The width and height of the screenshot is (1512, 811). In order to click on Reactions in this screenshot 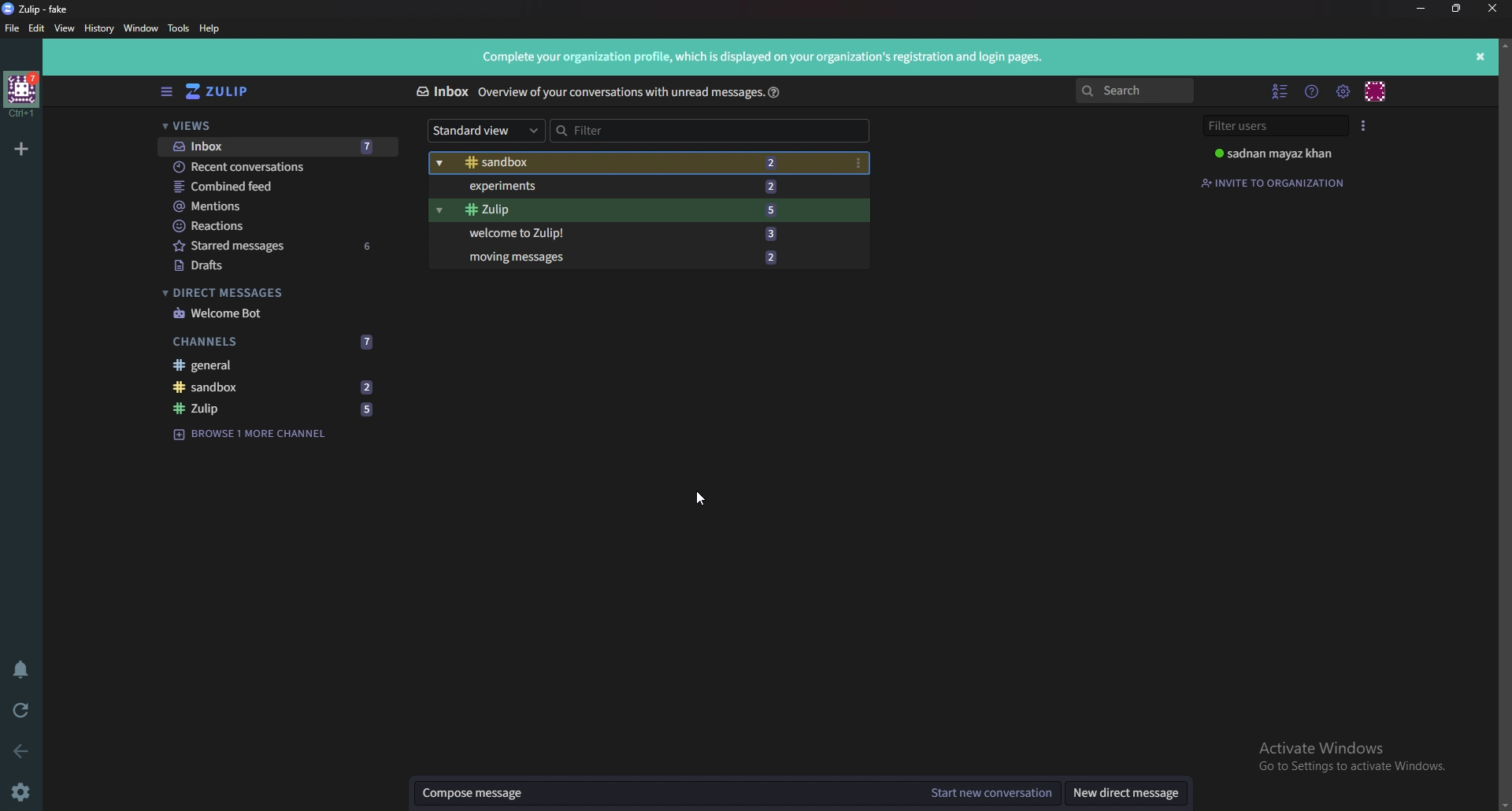, I will do `click(276, 226)`.